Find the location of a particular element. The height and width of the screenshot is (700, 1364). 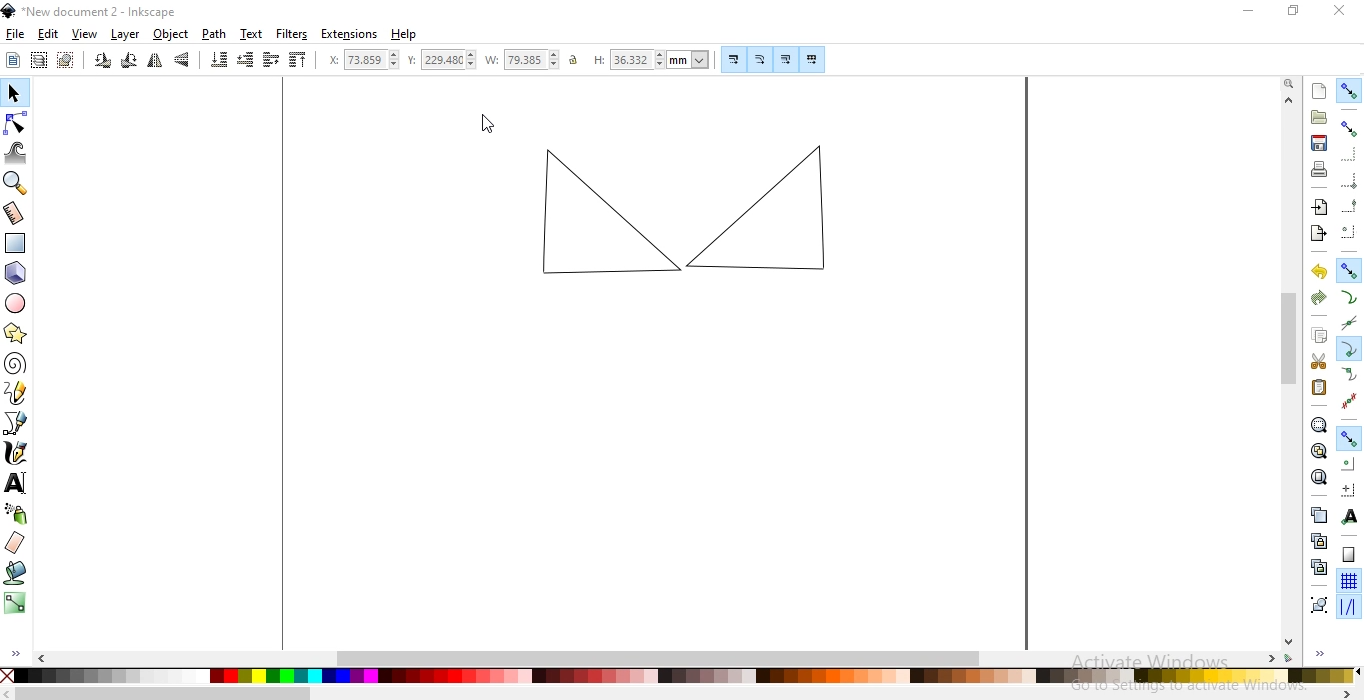

snap cusp nodes incl. rectangle corners is located at coordinates (1348, 348).